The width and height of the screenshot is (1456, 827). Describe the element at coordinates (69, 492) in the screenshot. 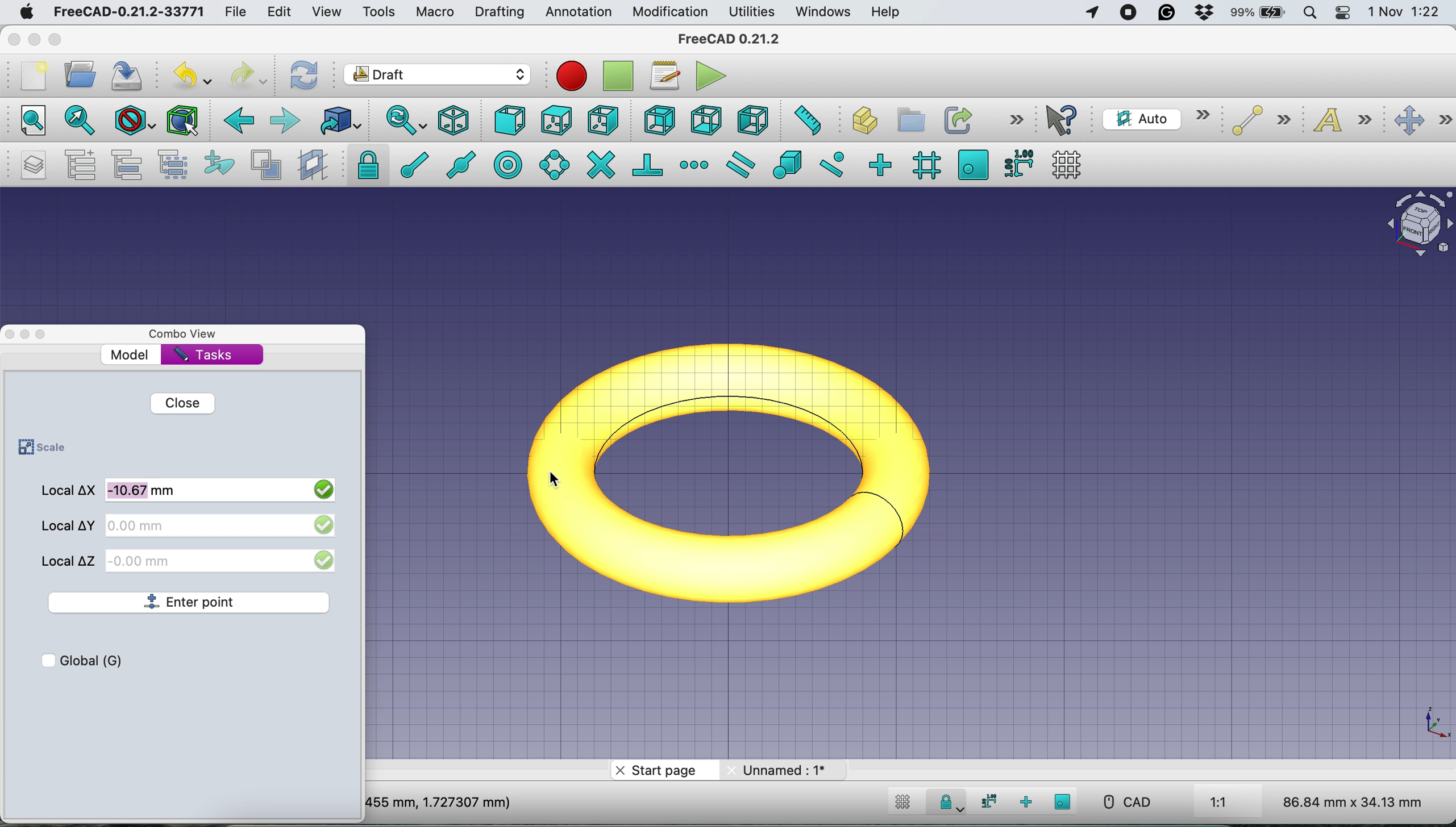

I see `local ΔX` at that location.